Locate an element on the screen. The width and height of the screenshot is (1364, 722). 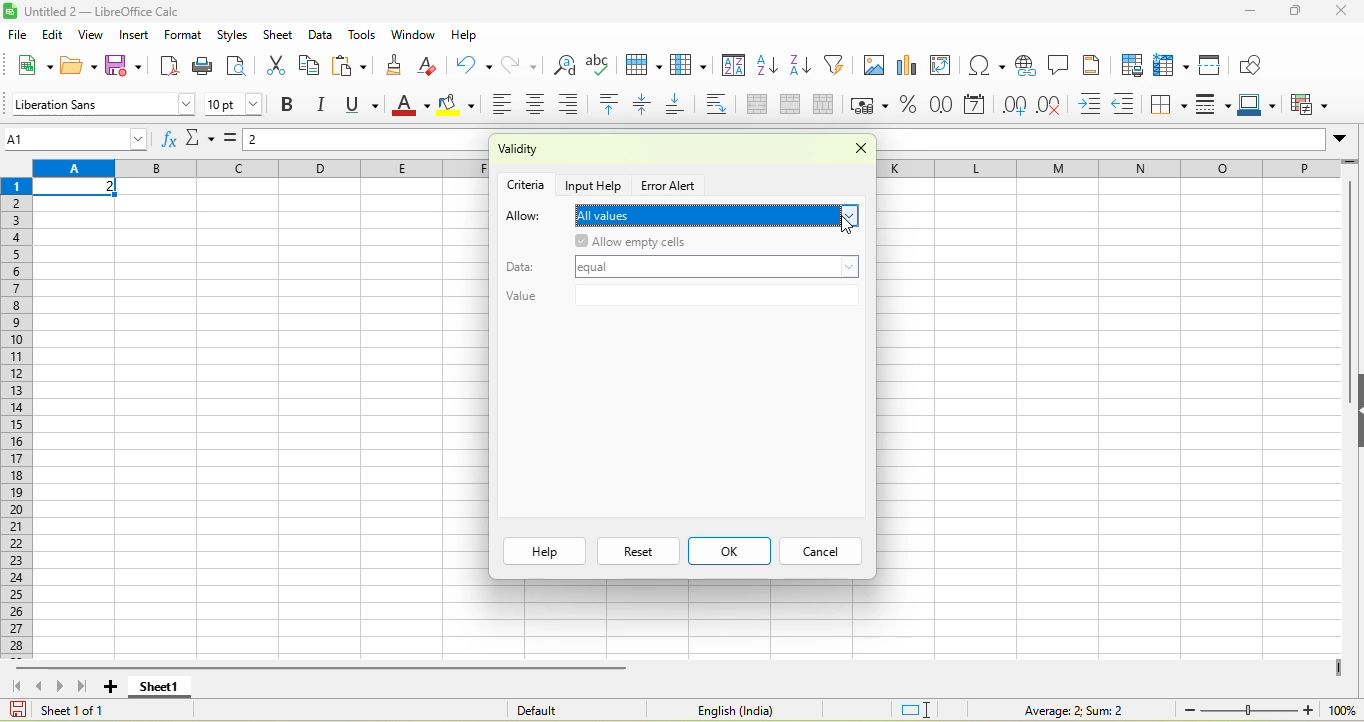
rows and column is located at coordinates (1173, 65).